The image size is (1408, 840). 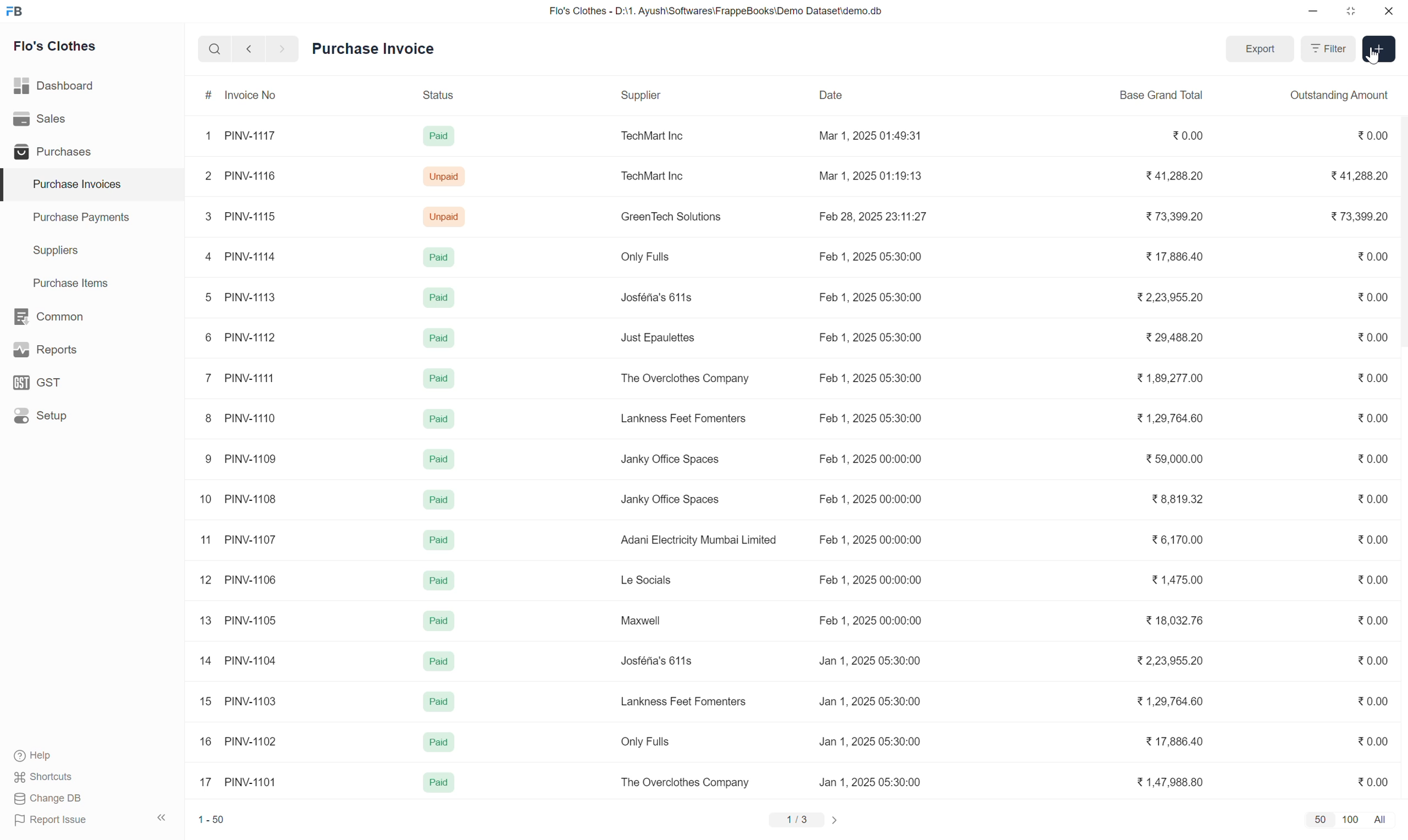 What do you see at coordinates (1171, 621) in the screenshot?
I see `18,032.76` at bounding box center [1171, 621].